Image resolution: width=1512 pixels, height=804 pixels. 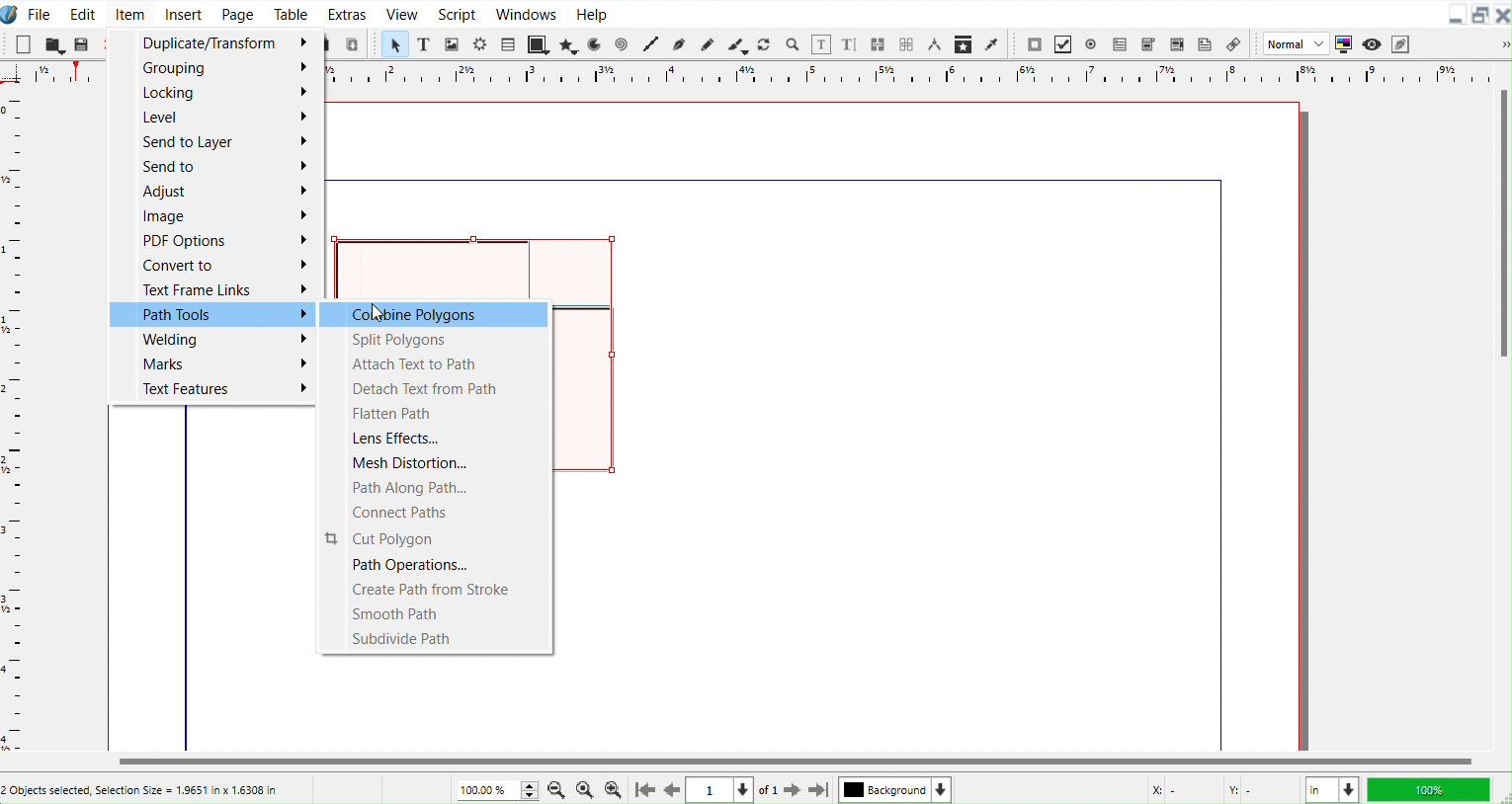 I want to click on Edit in Preview mode, so click(x=1400, y=42).